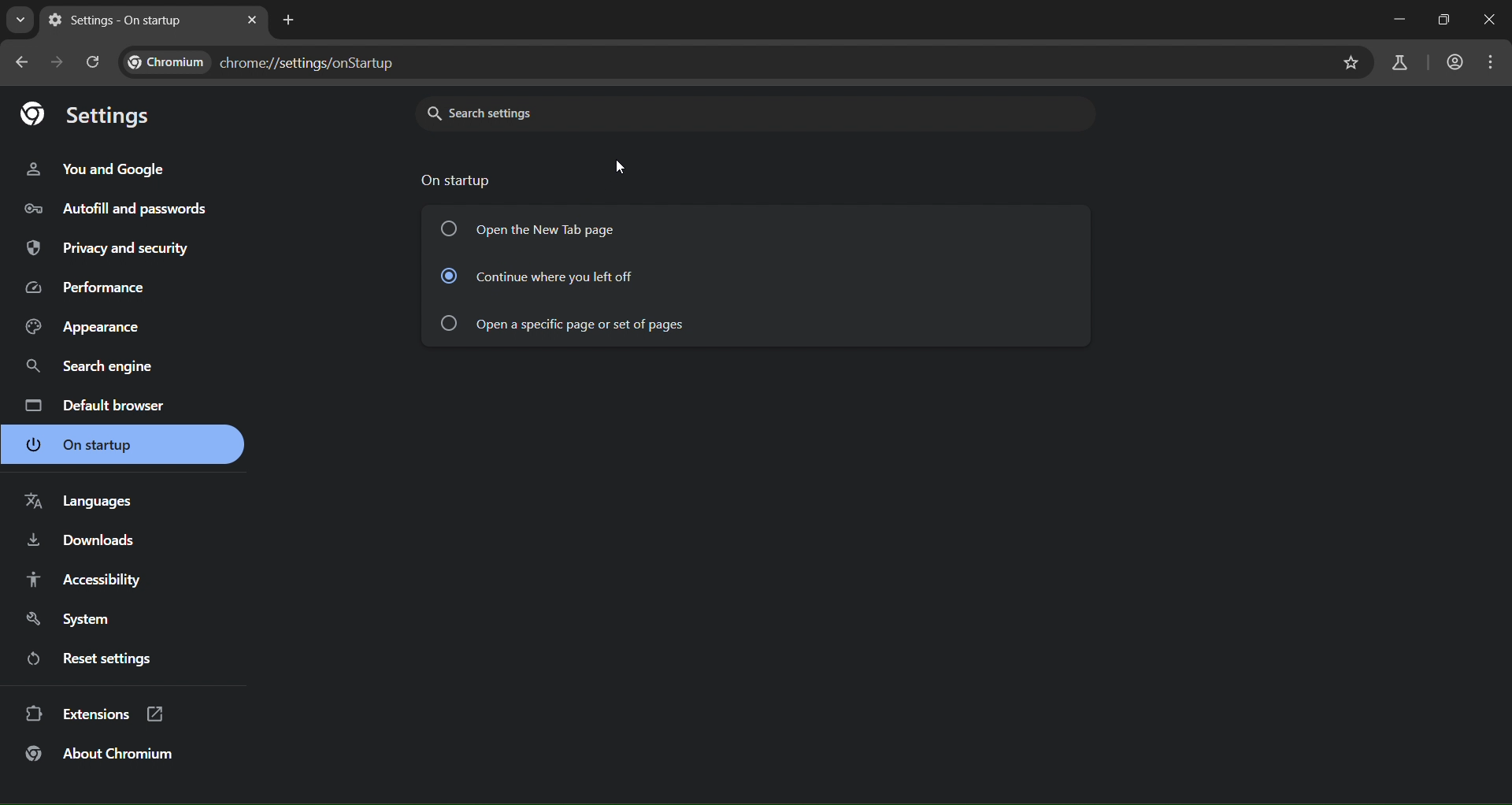 The image size is (1512, 805). Describe the element at coordinates (72, 620) in the screenshot. I see `system` at that location.